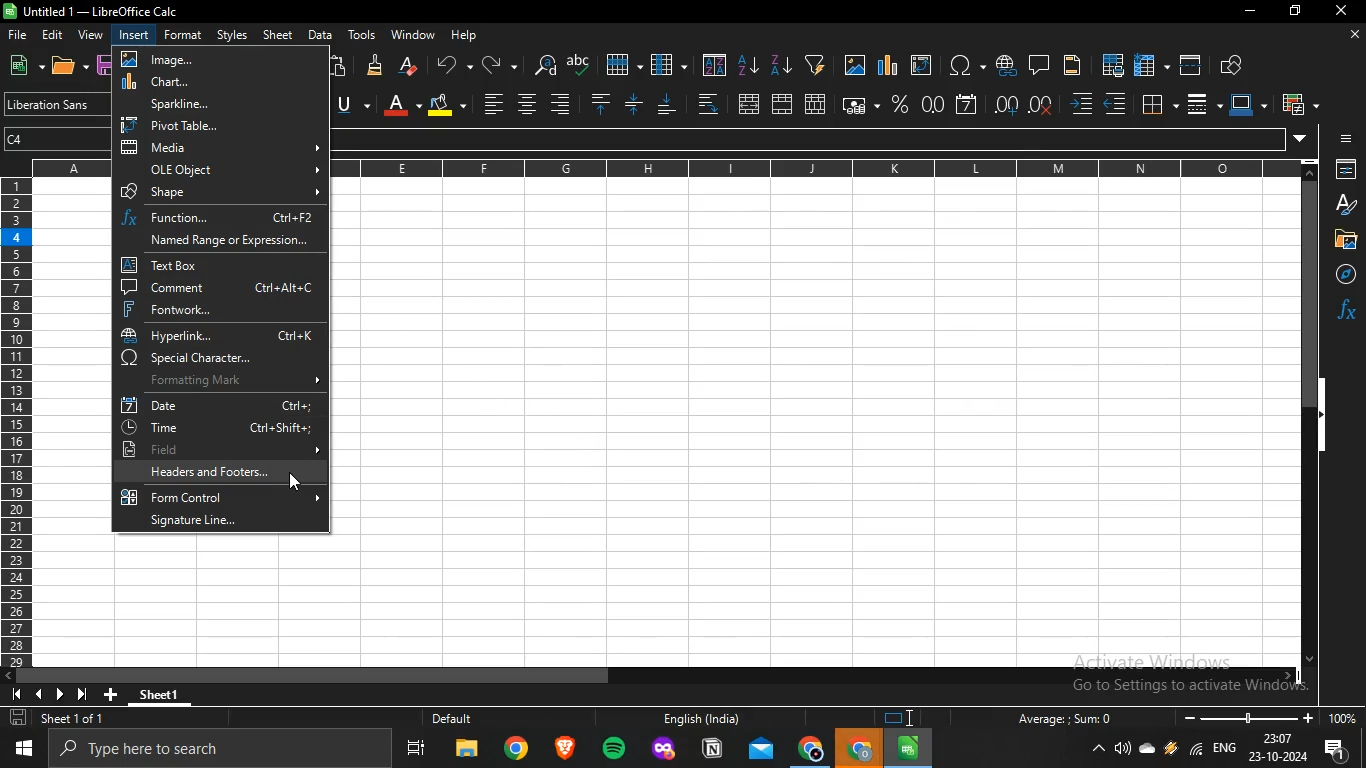 The image size is (1366, 768). I want to click on form control, so click(219, 497).